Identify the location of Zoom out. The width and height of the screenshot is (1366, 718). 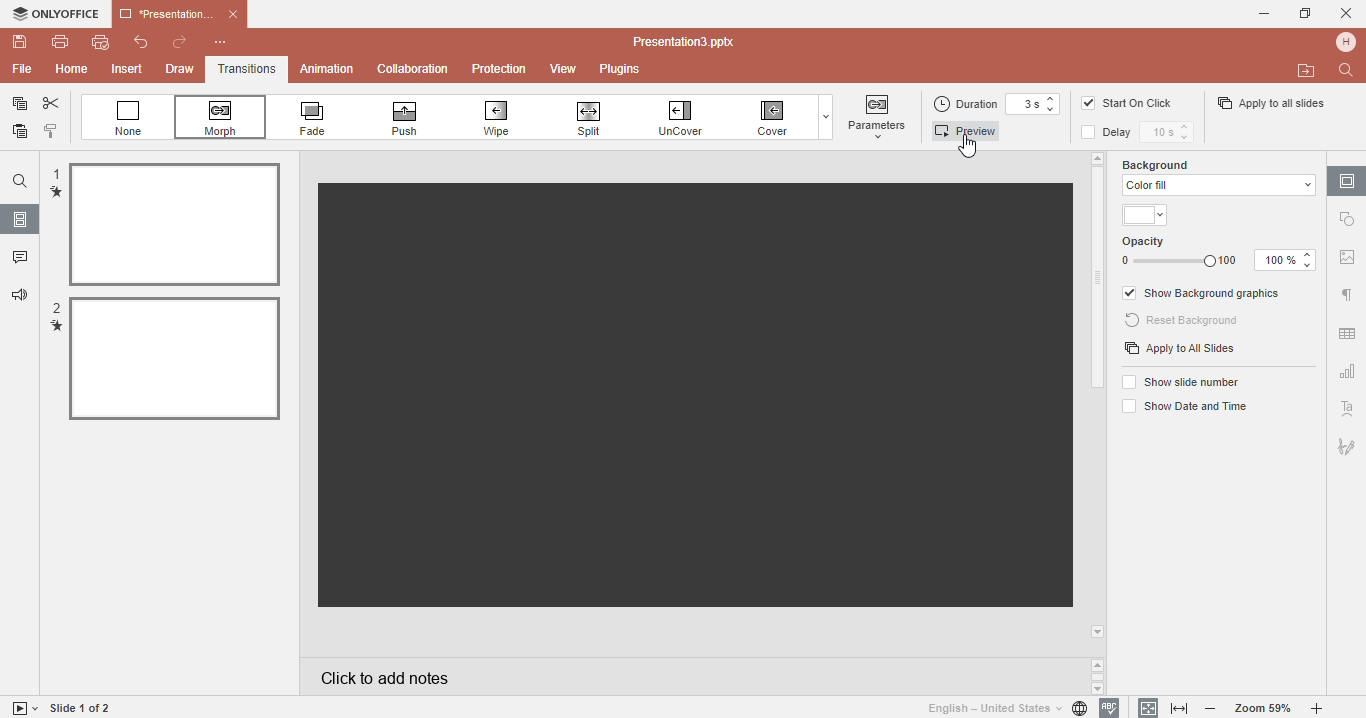
(1215, 710).